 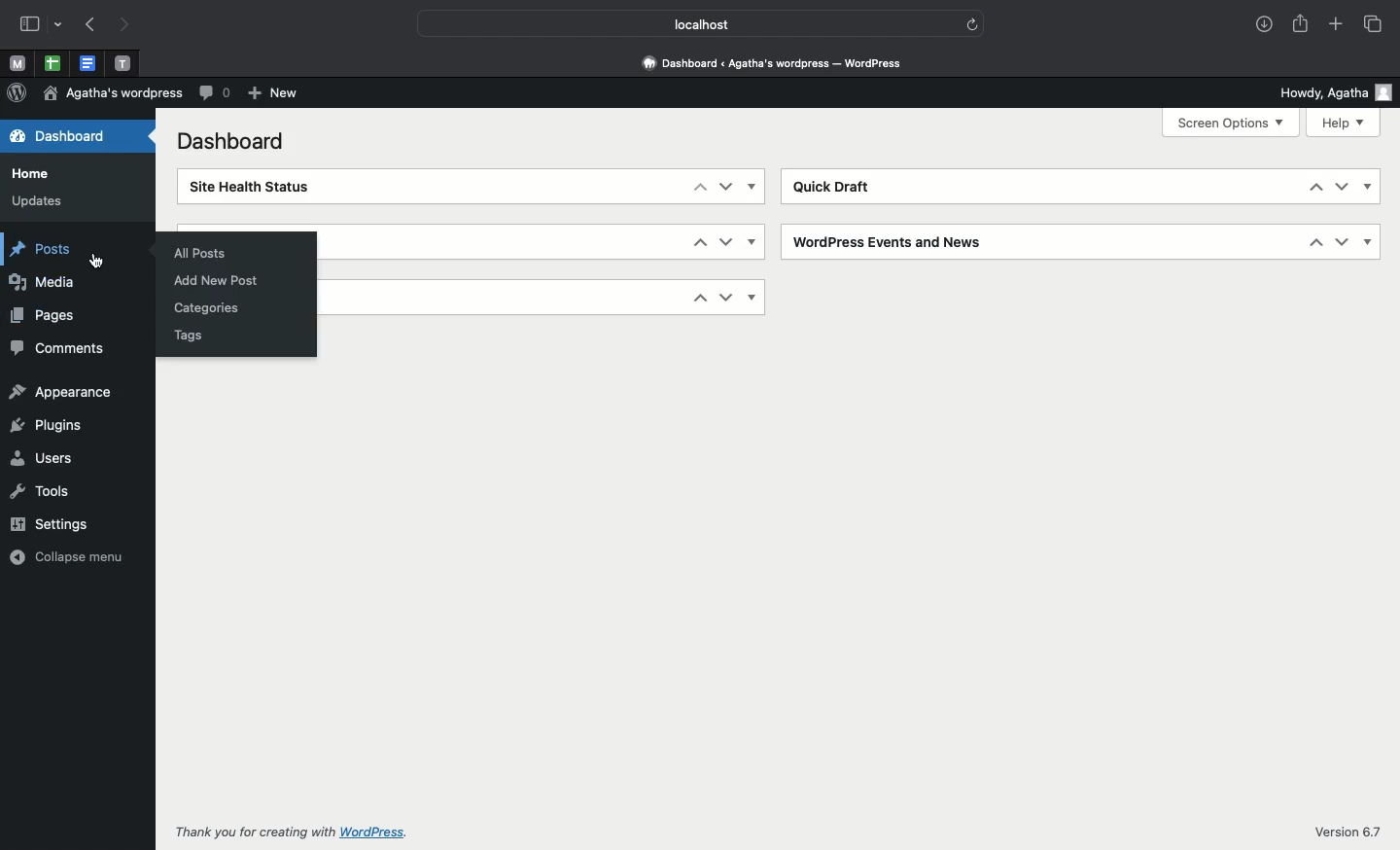 I want to click on Wordpress dashboard, so click(x=770, y=59).